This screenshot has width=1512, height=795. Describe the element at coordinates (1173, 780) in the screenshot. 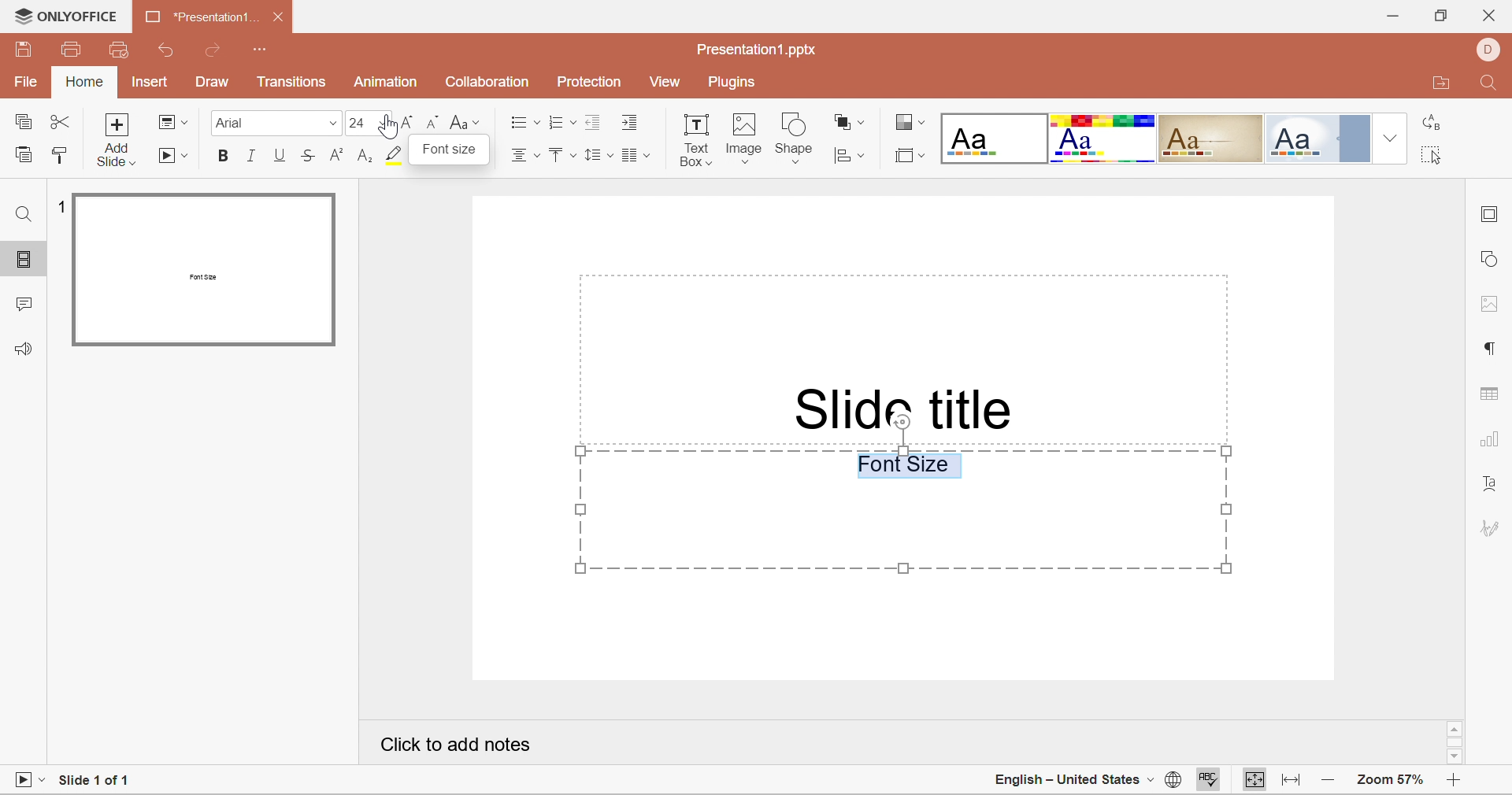

I see `Set document language` at that location.